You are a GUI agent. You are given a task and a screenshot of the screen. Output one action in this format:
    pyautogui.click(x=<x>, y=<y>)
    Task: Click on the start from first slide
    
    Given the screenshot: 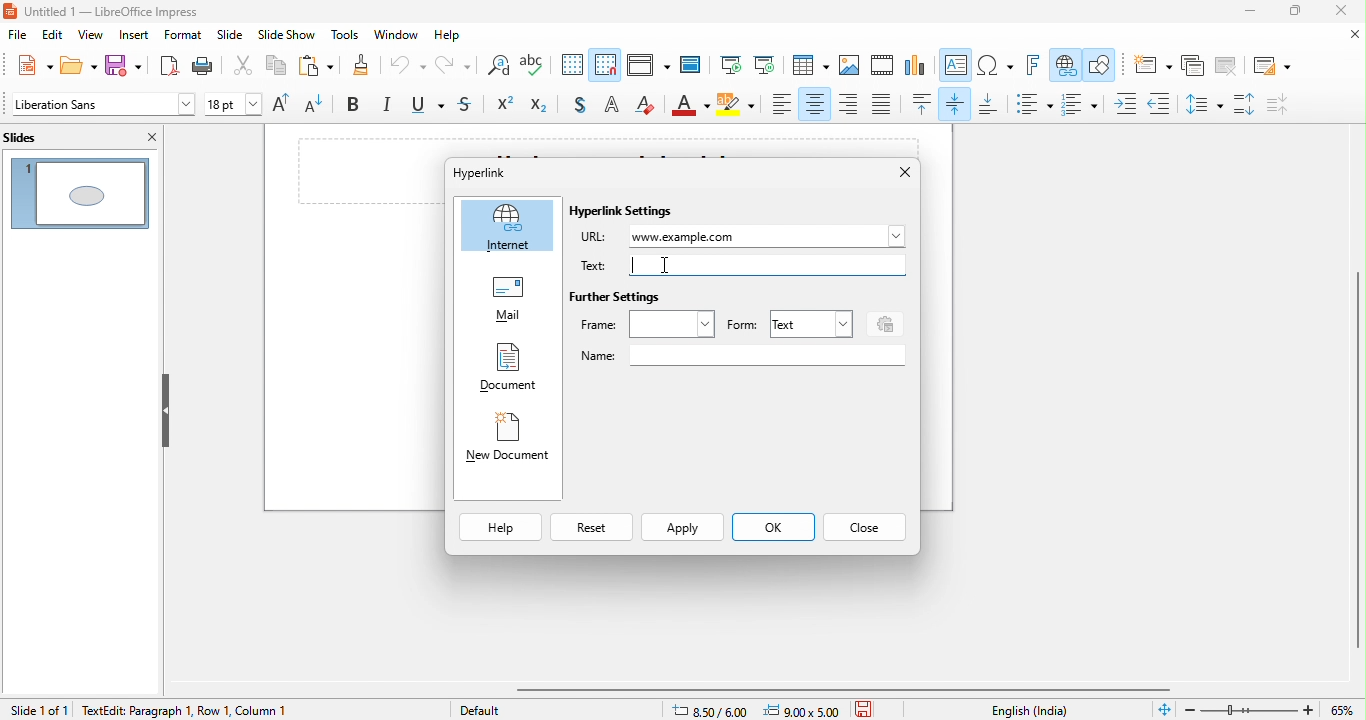 What is the action you would take?
    pyautogui.click(x=730, y=66)
    